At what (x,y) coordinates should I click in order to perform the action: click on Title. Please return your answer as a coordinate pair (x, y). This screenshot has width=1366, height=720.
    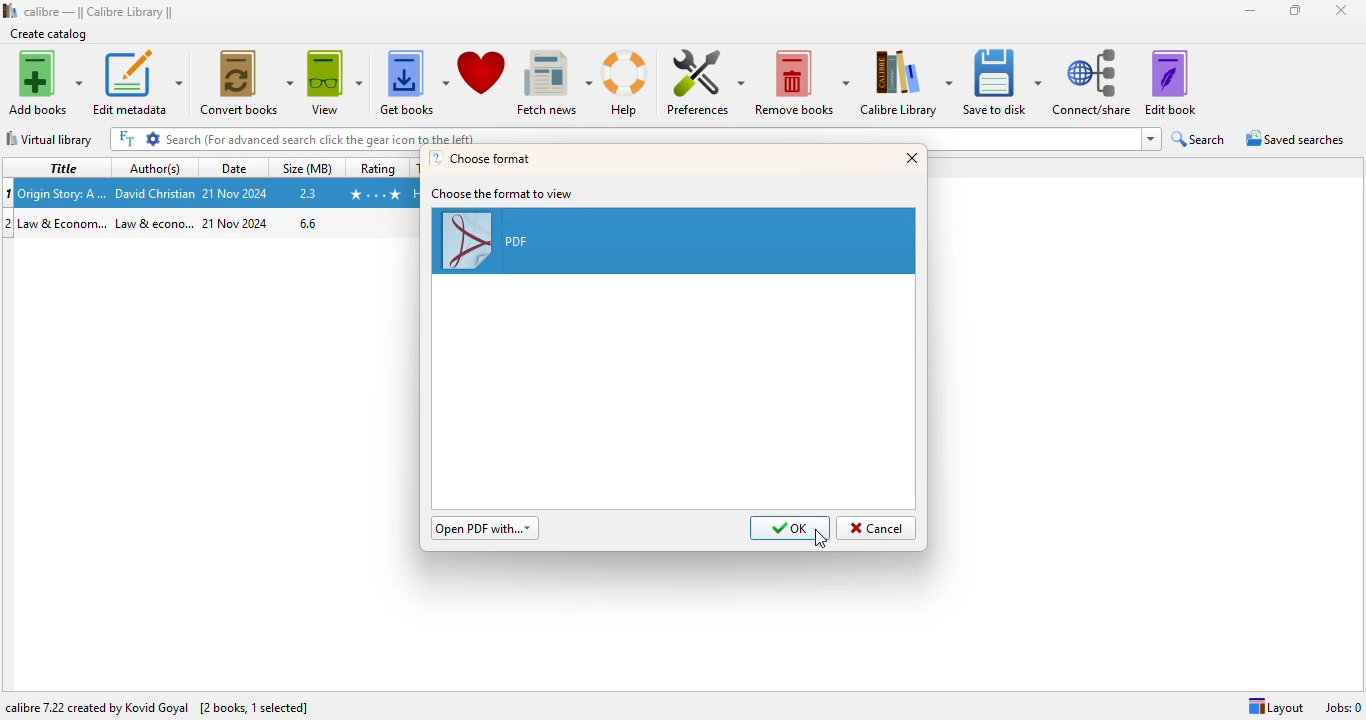
    Looking at the image, I should click on (64, 192).